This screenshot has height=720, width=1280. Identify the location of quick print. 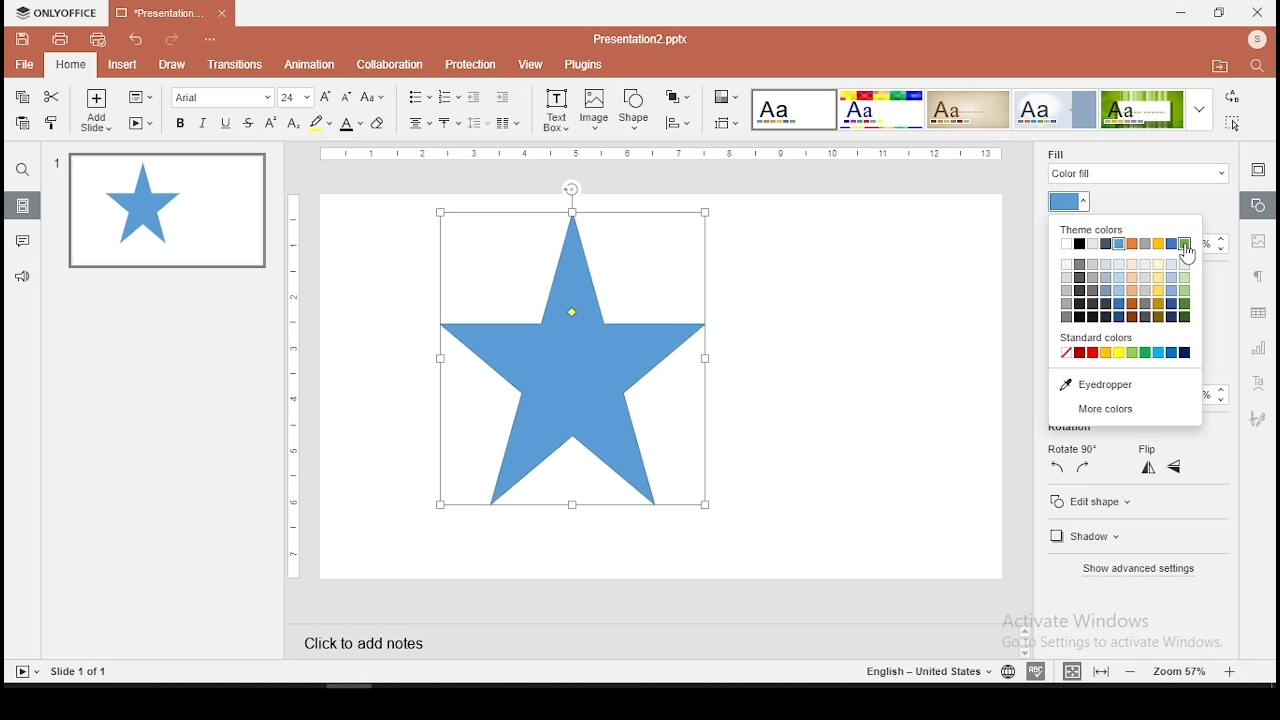
(97, 39).